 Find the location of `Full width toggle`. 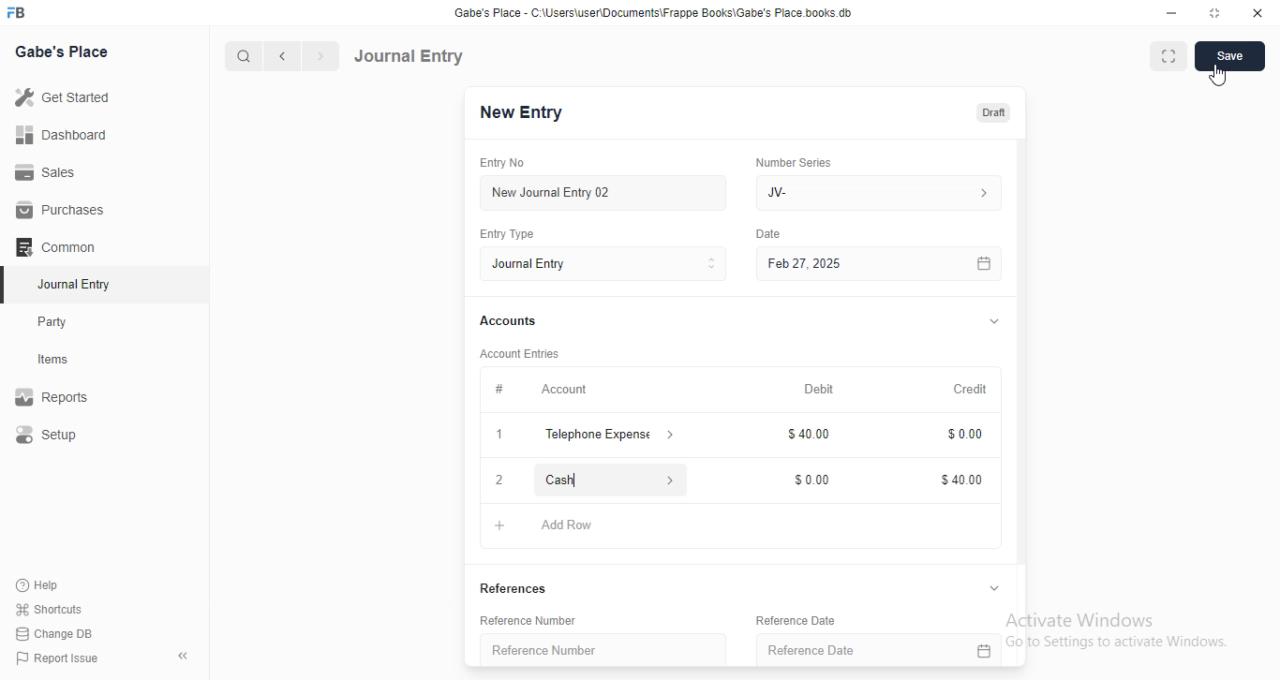

Full width toggle is located at coordinates (1167, 57).